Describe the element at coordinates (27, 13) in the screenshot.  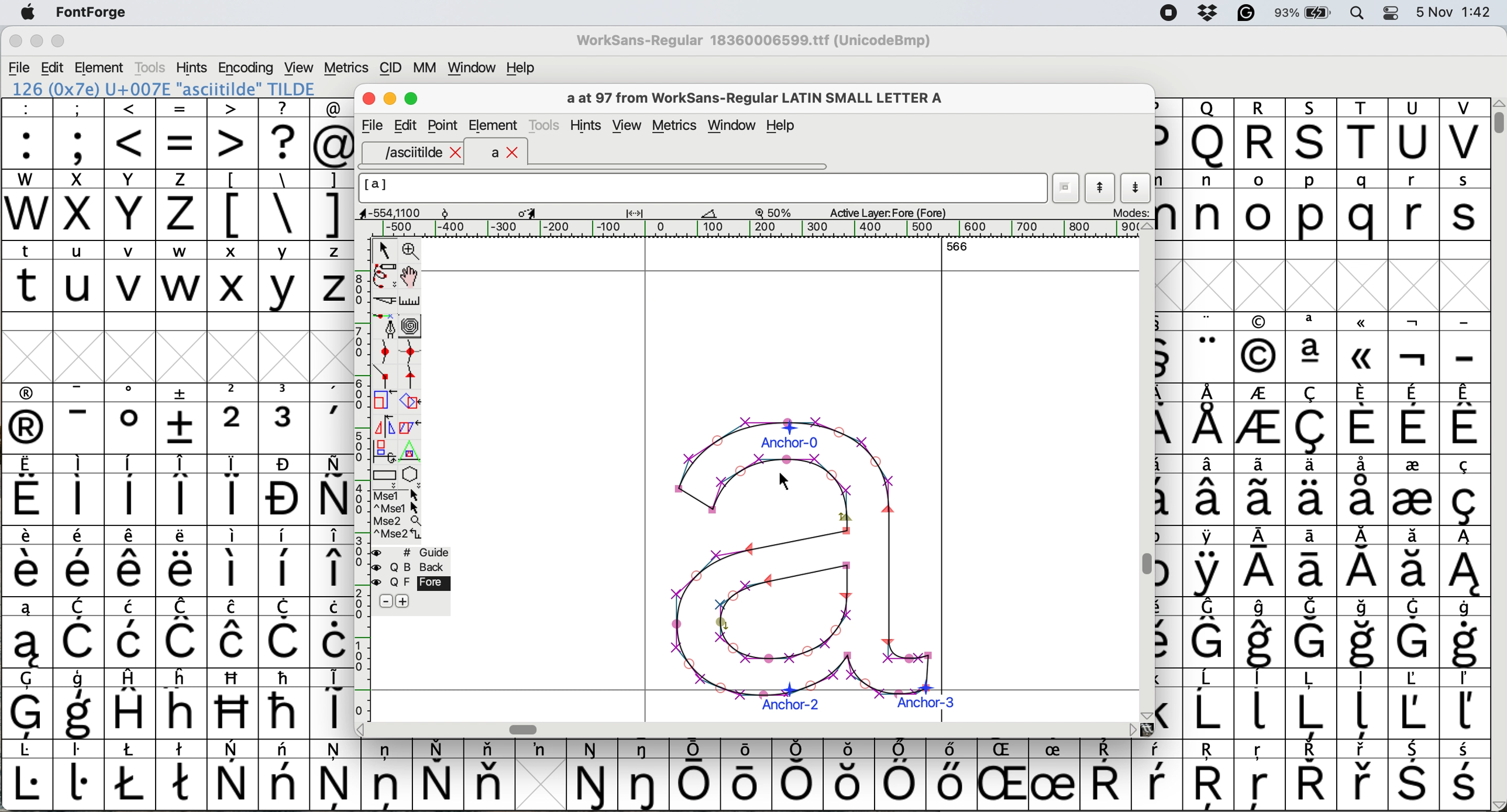
I see `system logo` at that location.